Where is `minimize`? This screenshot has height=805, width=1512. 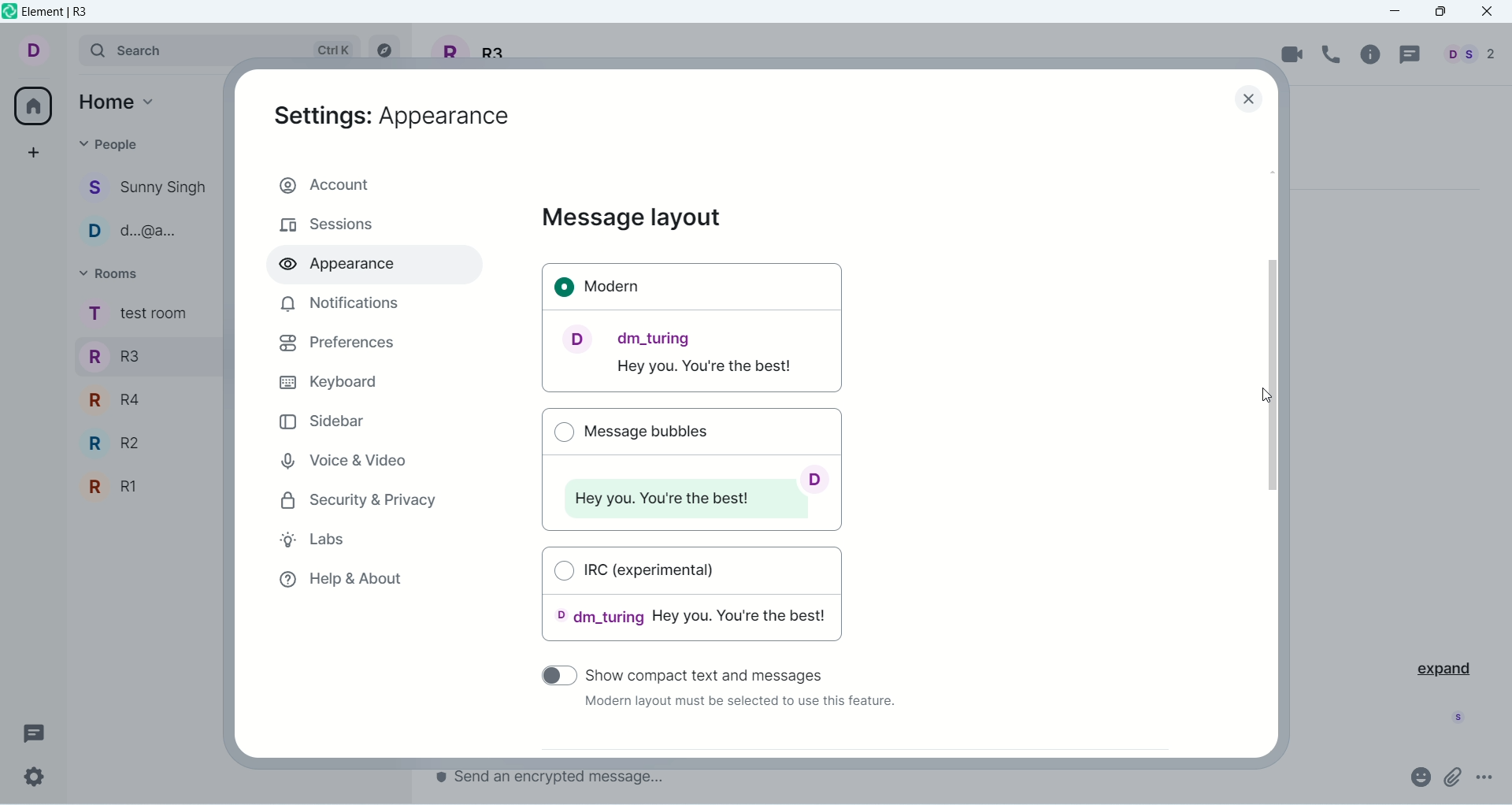
minimize is located at coordinates (1401, 12).